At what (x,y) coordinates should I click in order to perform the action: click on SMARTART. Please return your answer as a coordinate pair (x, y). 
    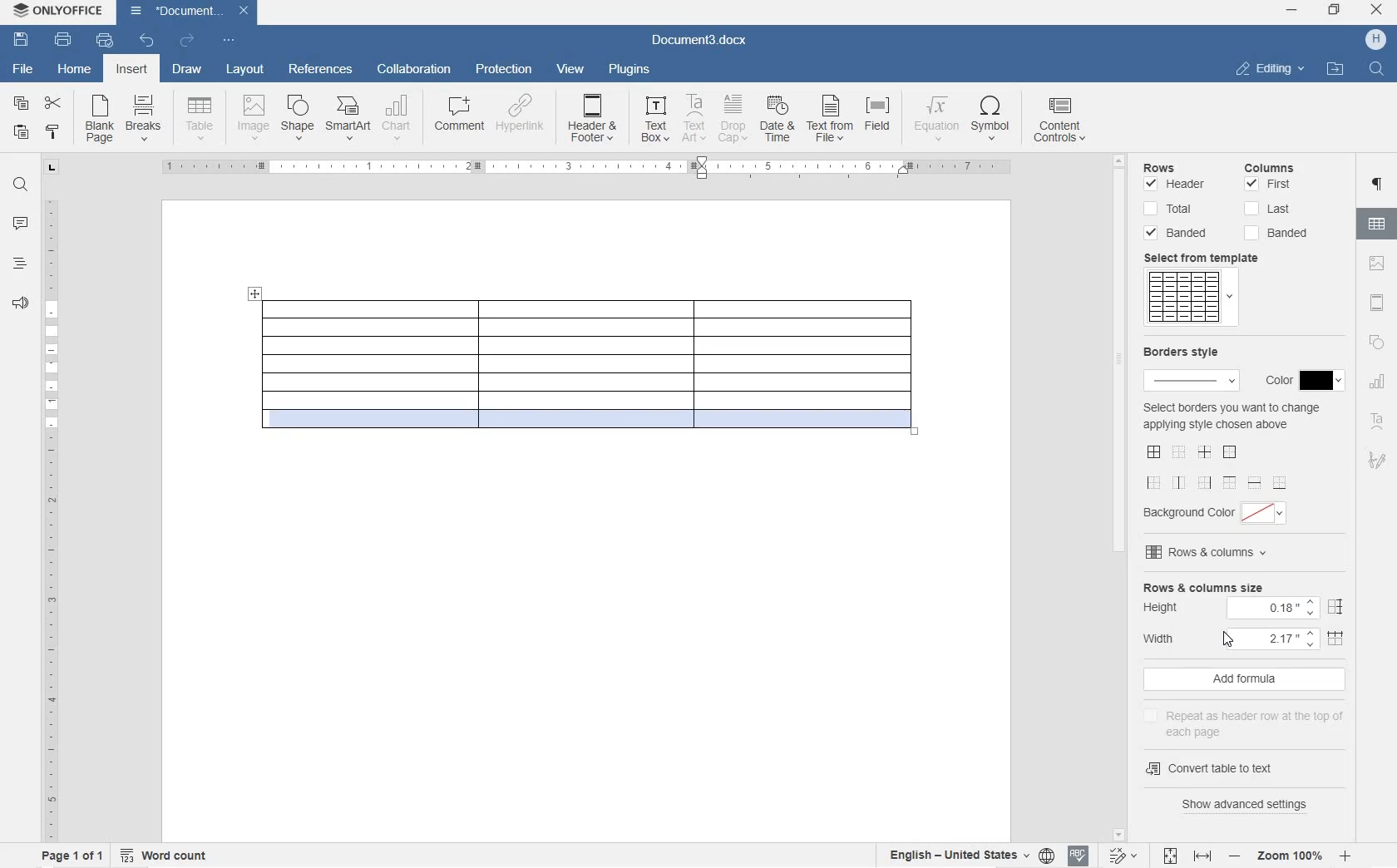
    Looking at the image, I should click on (348, 119).